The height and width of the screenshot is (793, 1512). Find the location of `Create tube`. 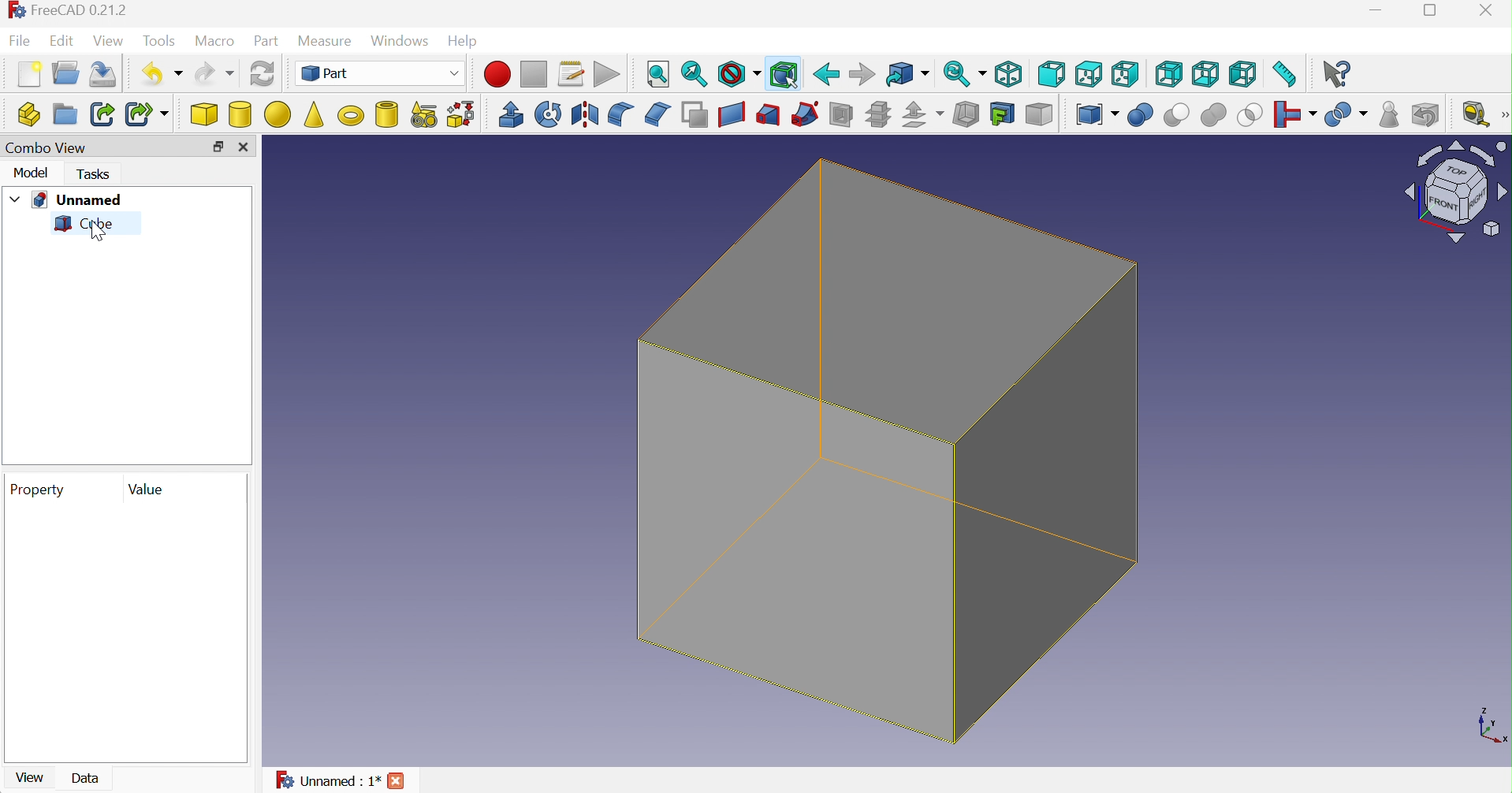

Create tube is located at coordinates (387, 114).